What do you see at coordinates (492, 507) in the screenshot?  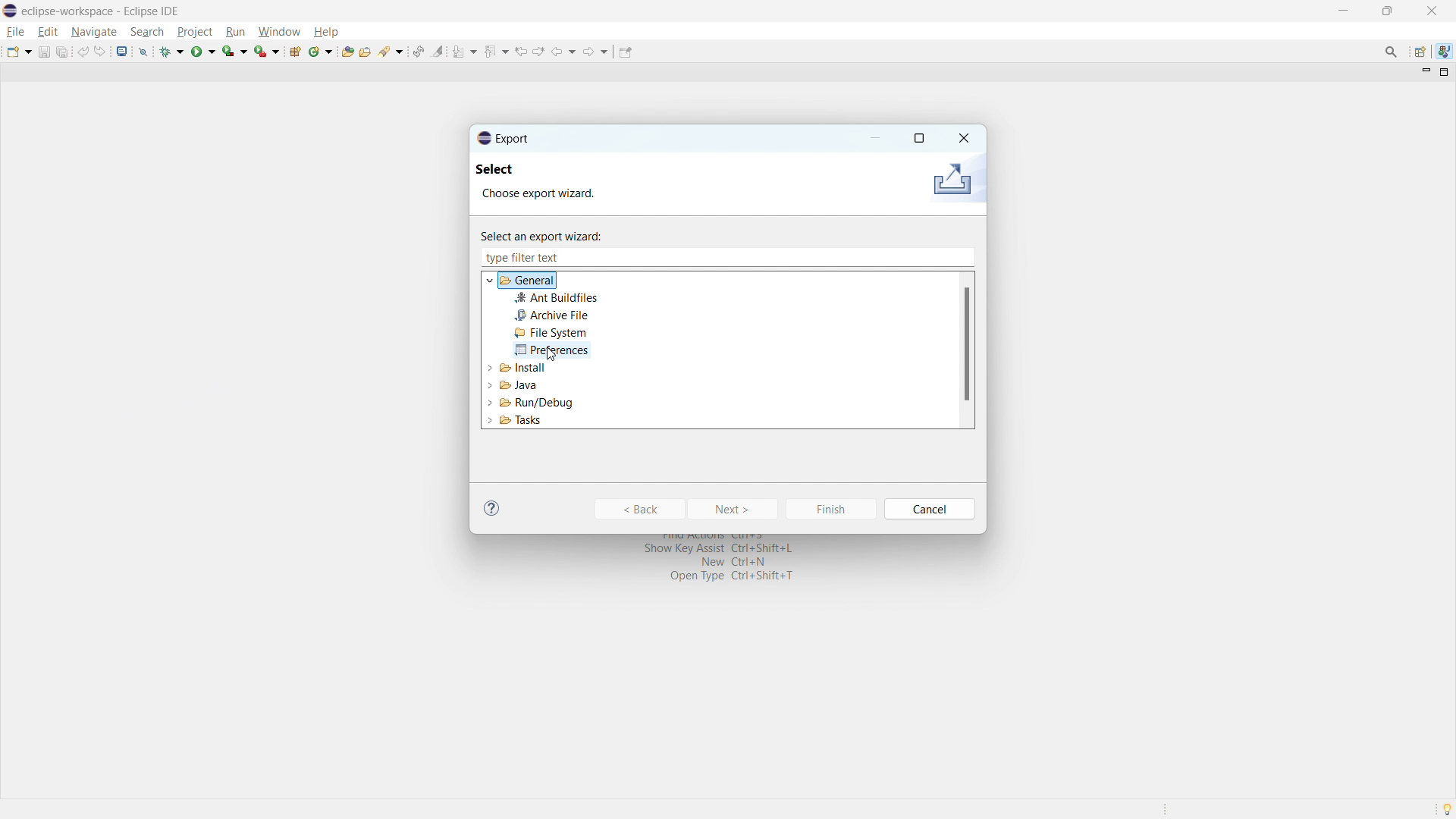 I see `help` at bounding box center [492, 507].